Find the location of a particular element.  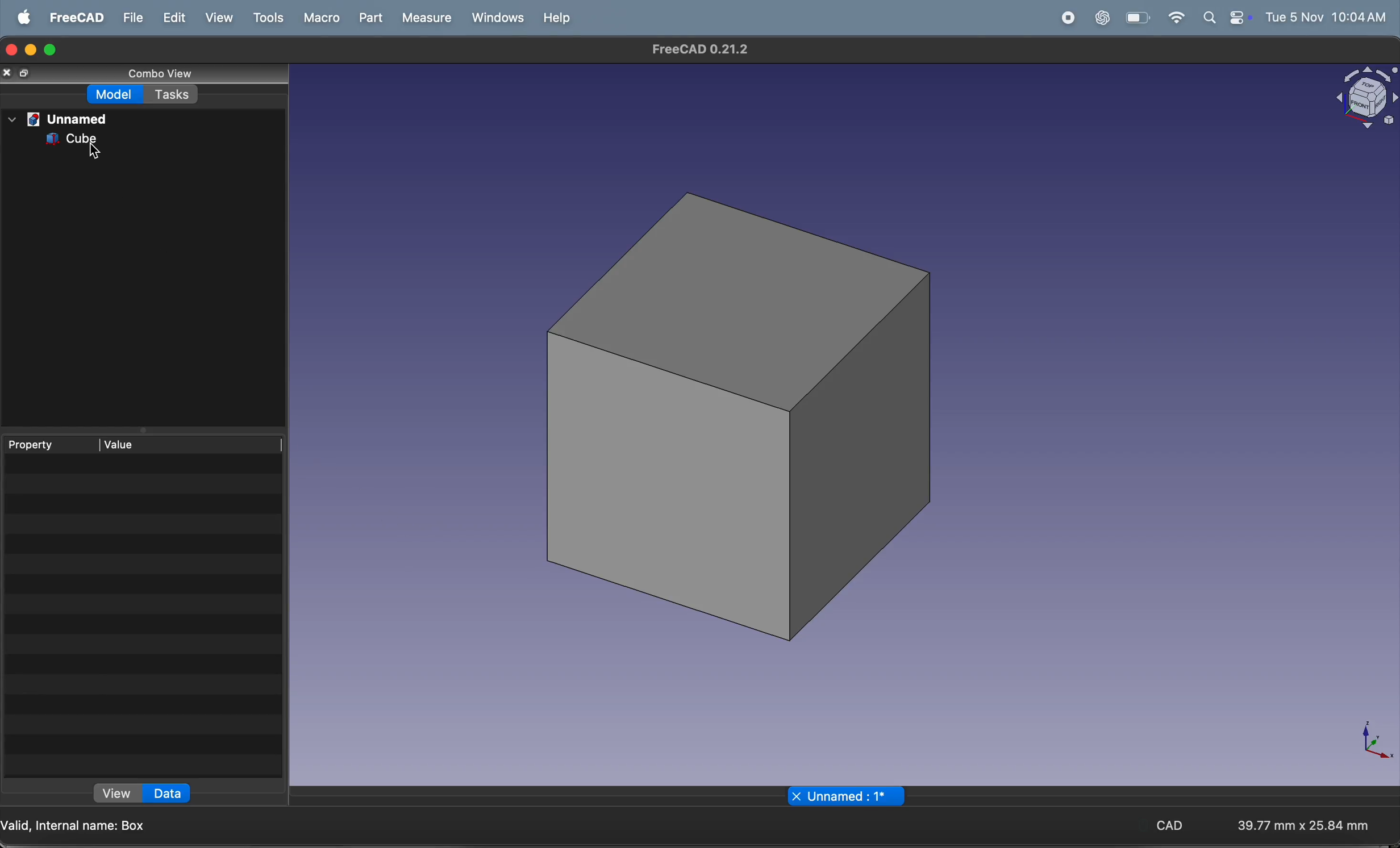

minimize is located at coordinates (33, 49).